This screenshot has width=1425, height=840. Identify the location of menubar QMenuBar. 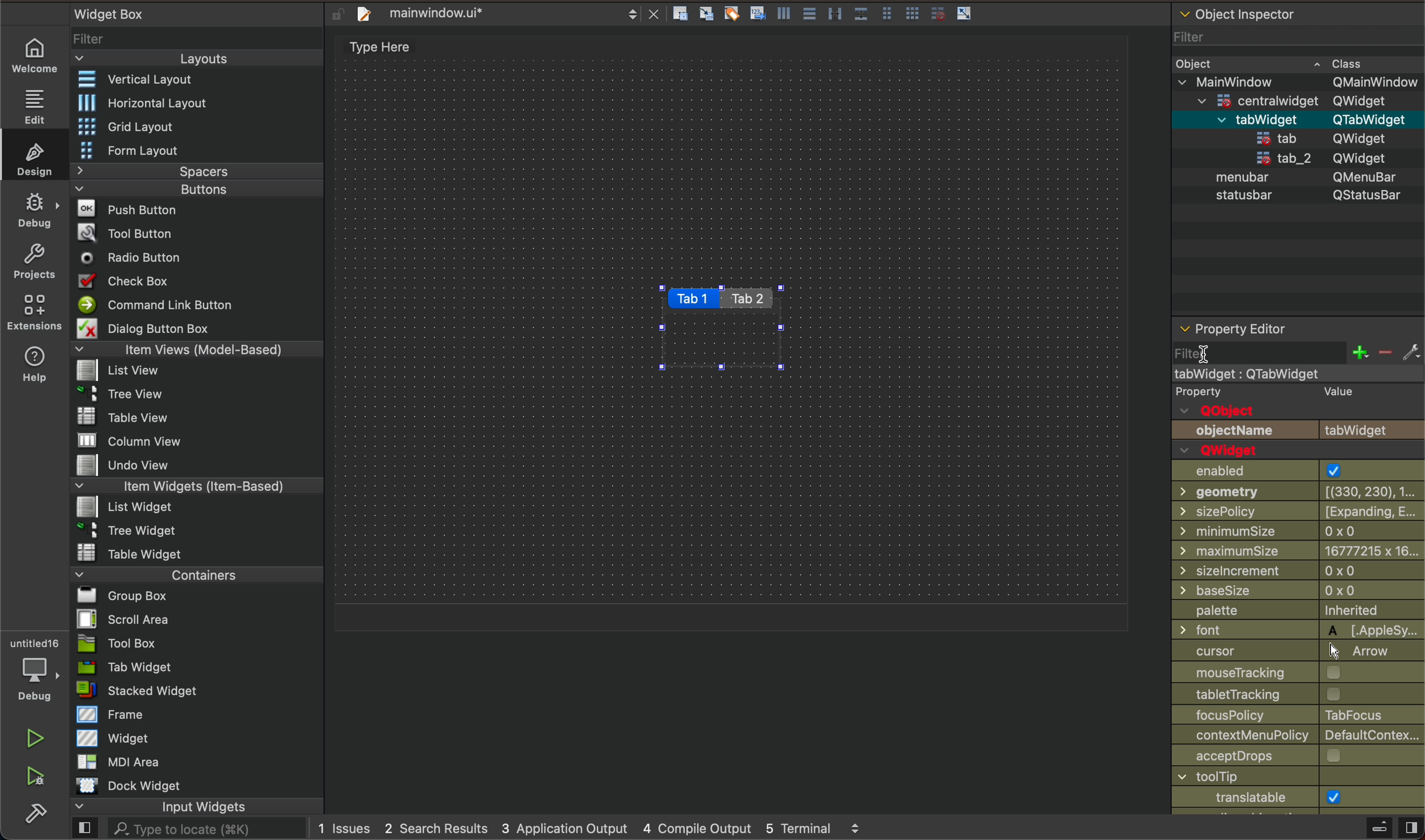
(1295, 118).